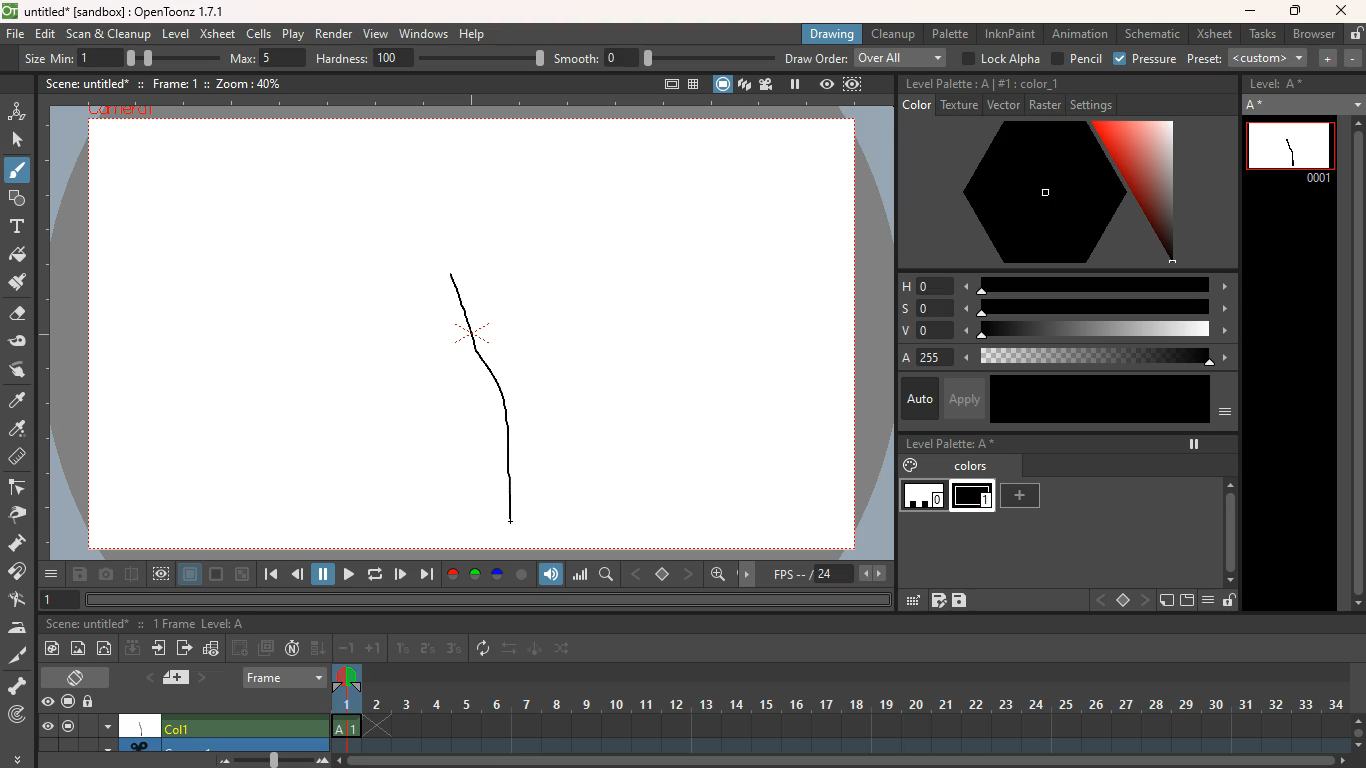 This screenshot has height=768, width=1366. I want to click on screen, so click(79, 676).